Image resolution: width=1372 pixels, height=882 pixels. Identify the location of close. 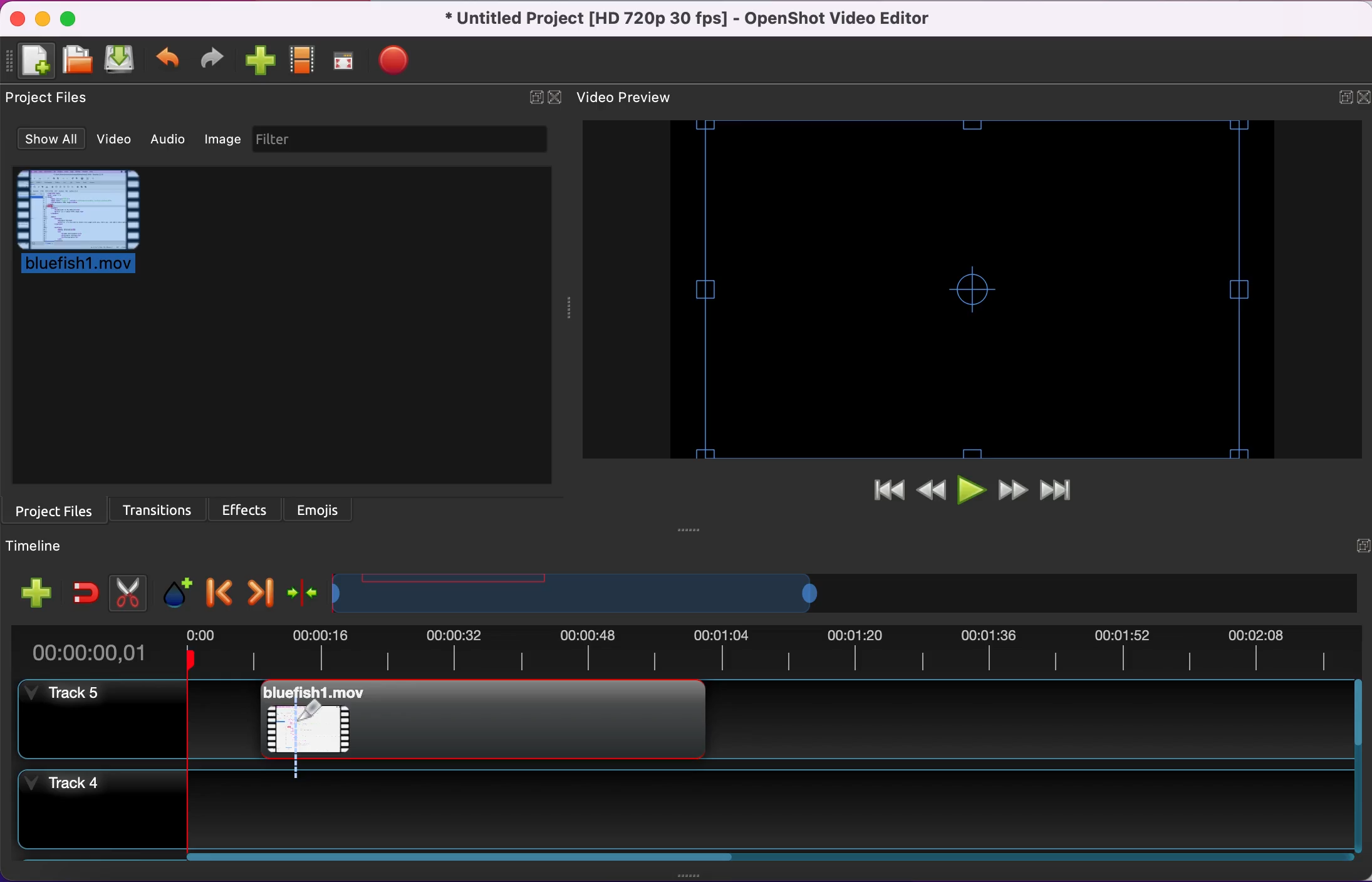
(556, 96).